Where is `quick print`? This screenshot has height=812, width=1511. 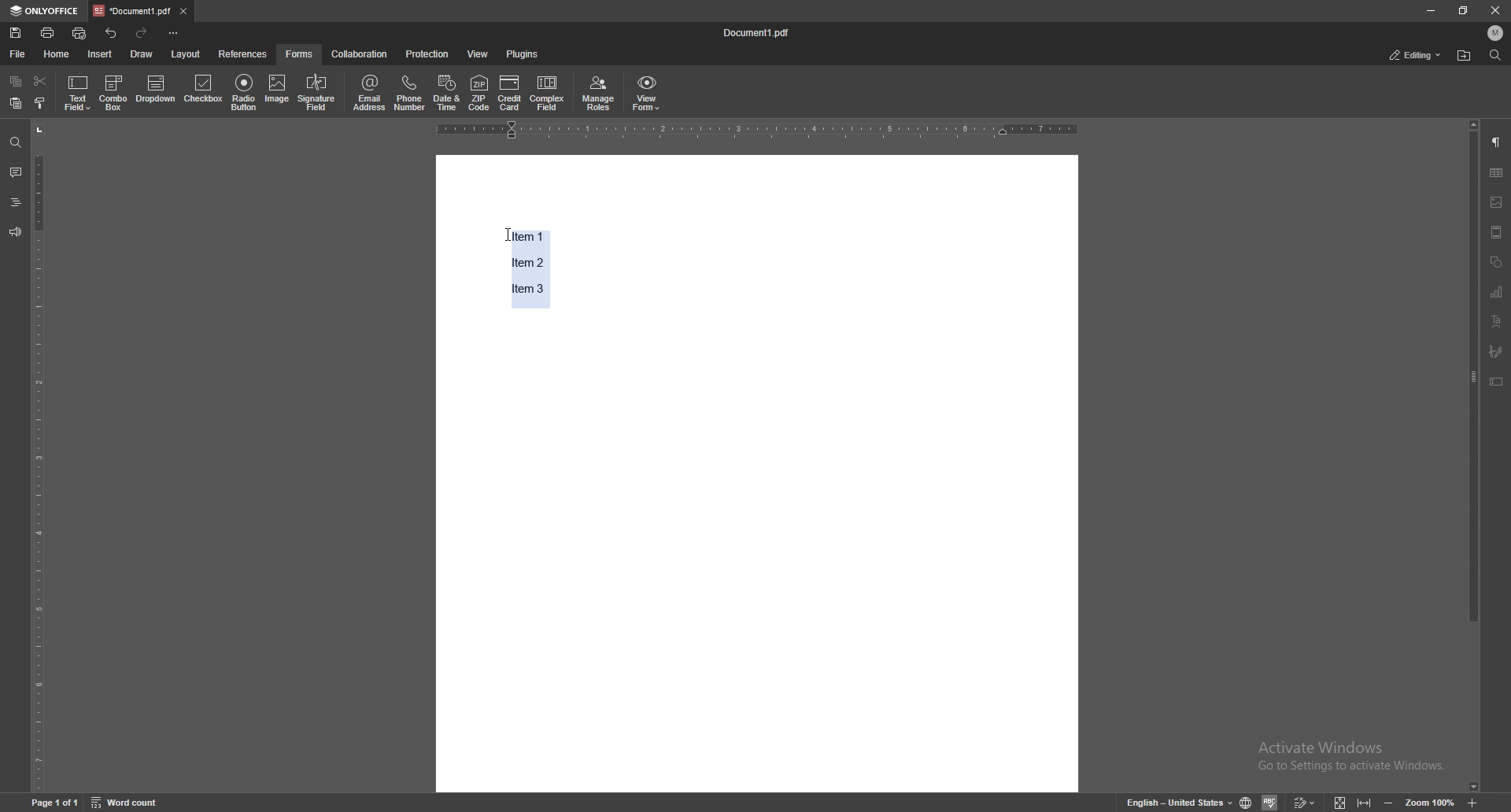
quick print is located at coordinates (79, 34).